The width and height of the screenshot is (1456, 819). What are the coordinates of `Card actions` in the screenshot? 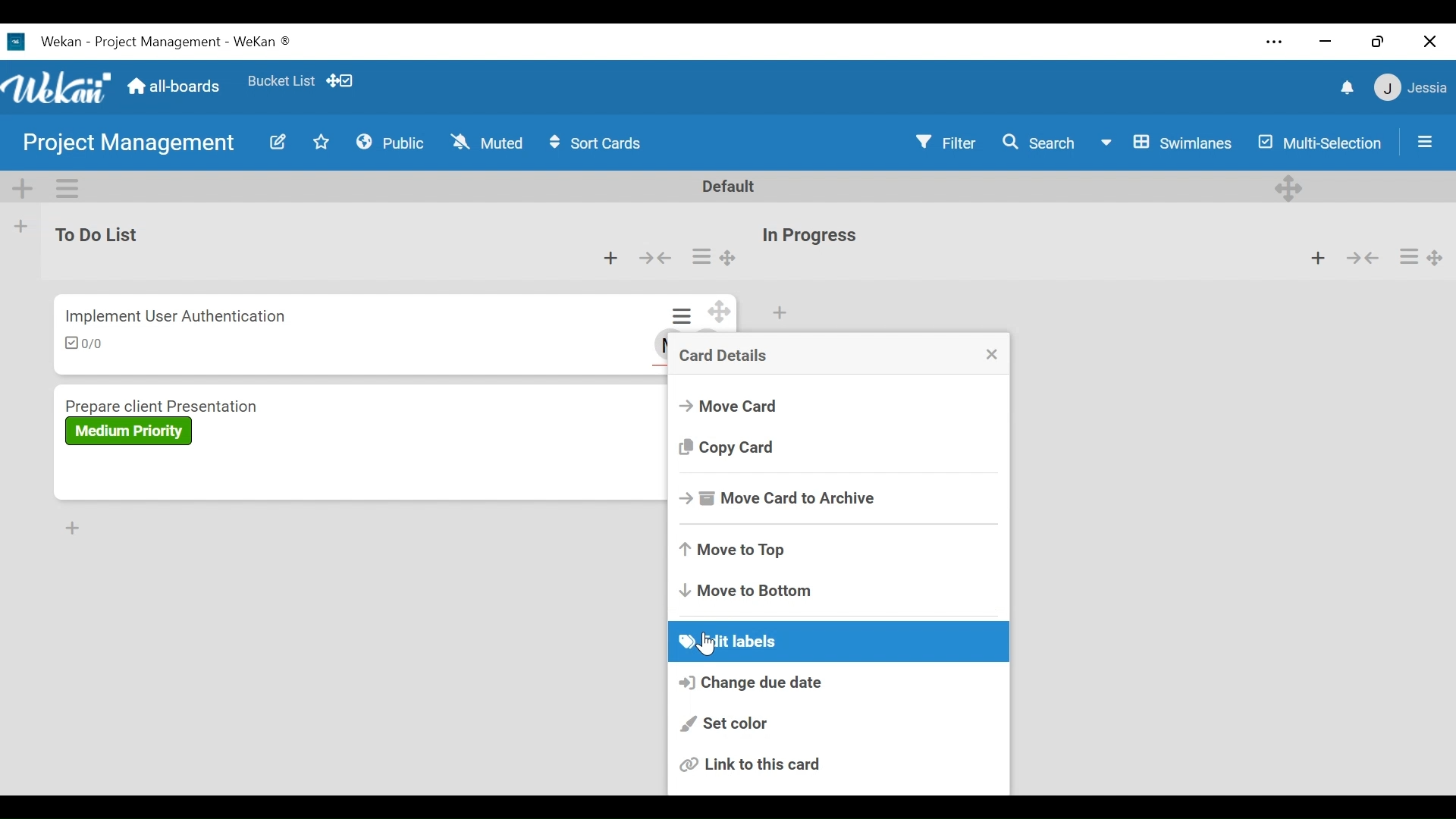 It's located at (1407, 256).